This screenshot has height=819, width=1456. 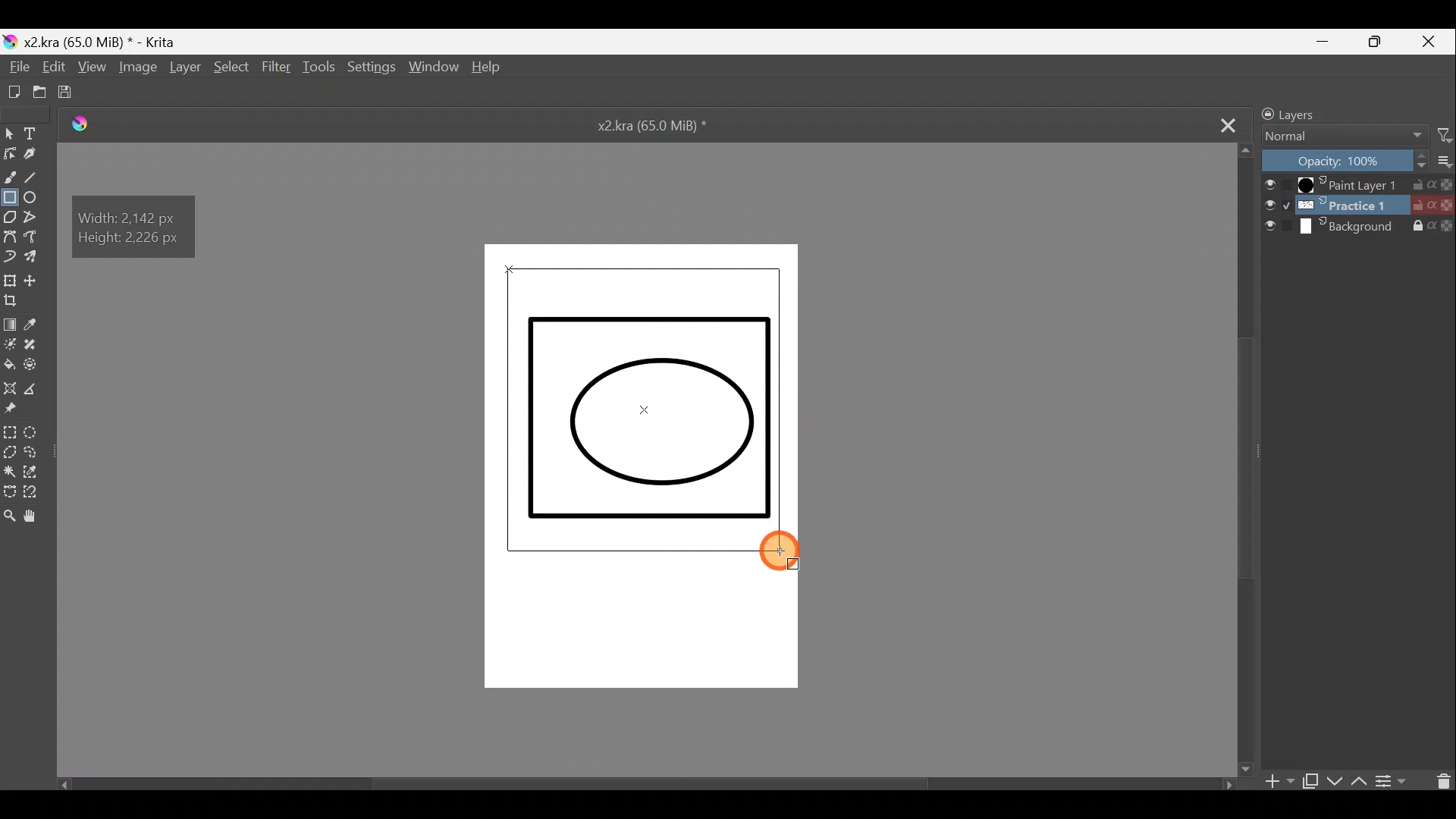 What do you see at coordinates (319, 67) in the screenshot?
I see `Tools` at bounding box center [319, 67].